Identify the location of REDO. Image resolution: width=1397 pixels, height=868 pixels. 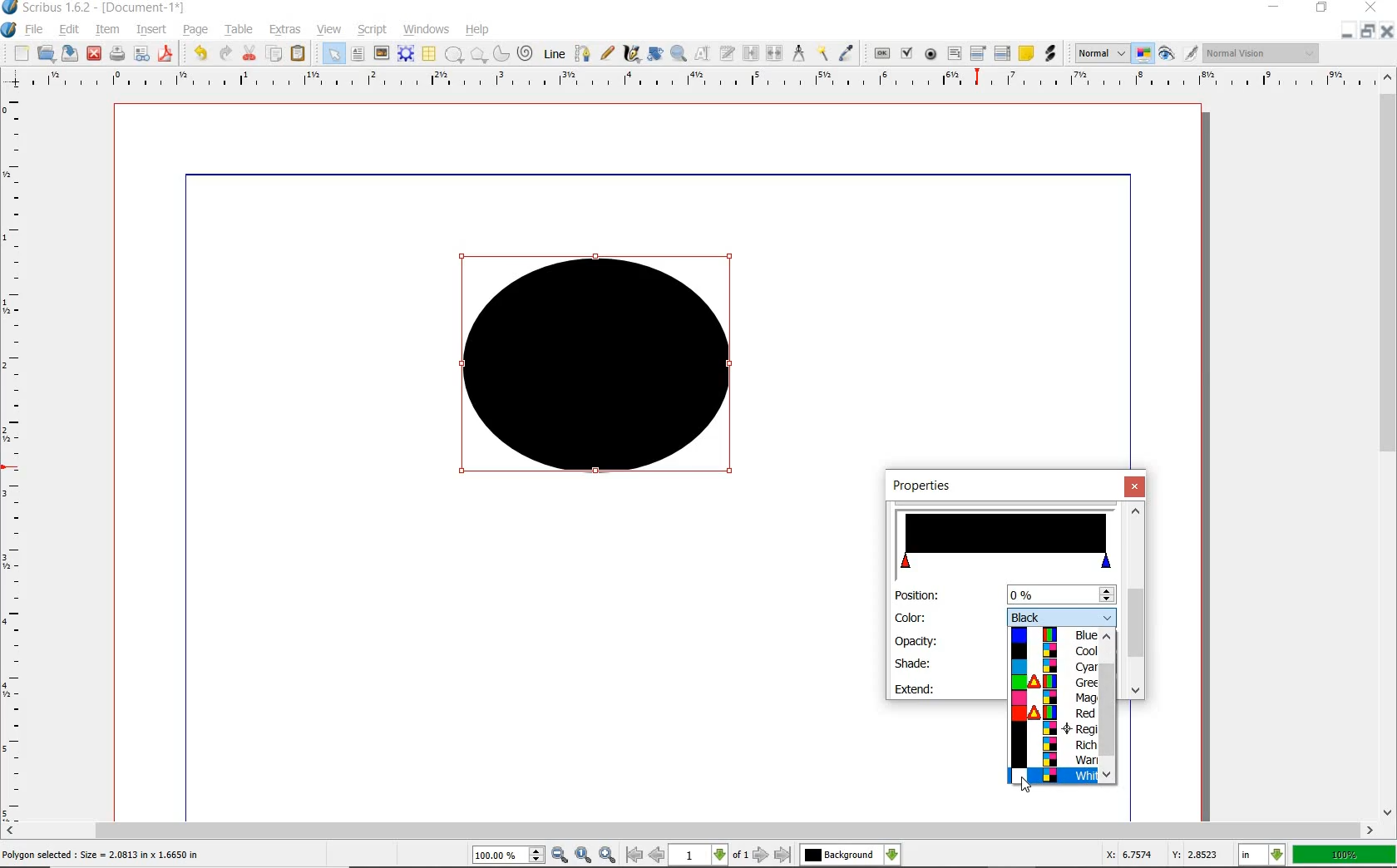
(225, 52).